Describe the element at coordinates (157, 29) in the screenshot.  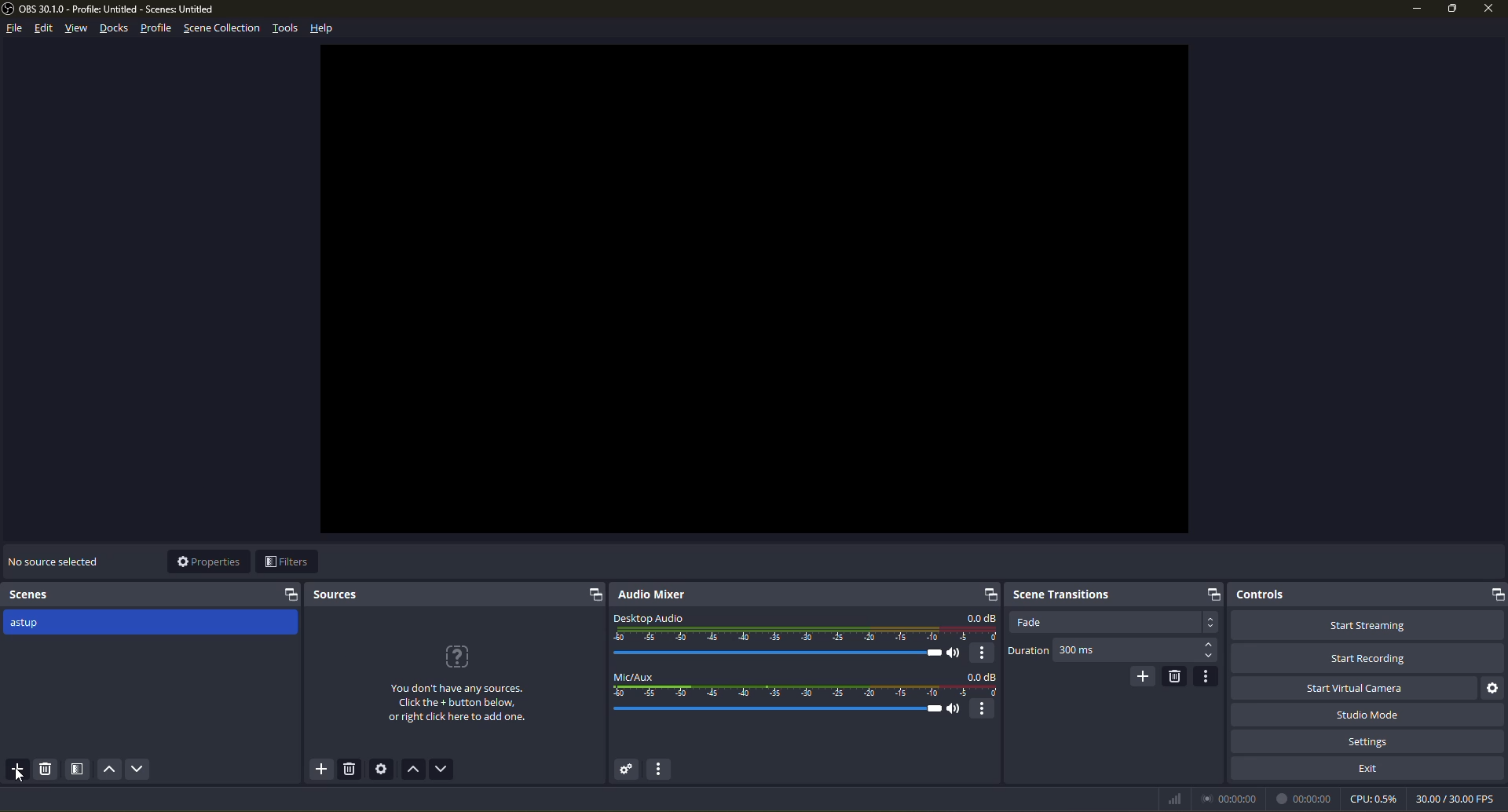
I see `profile` at that location.